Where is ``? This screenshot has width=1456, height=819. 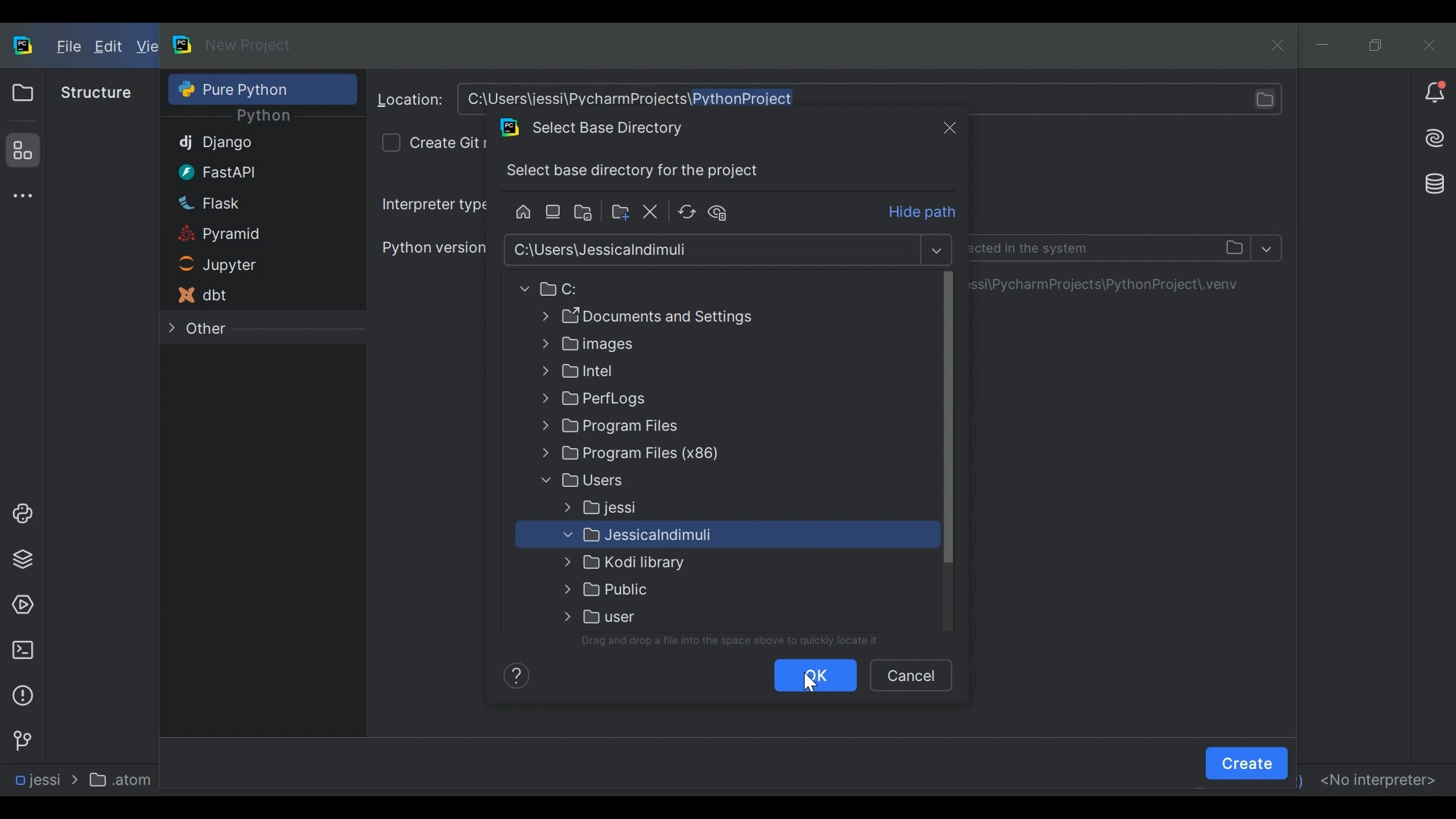
 is located at coordinates (664, 428).